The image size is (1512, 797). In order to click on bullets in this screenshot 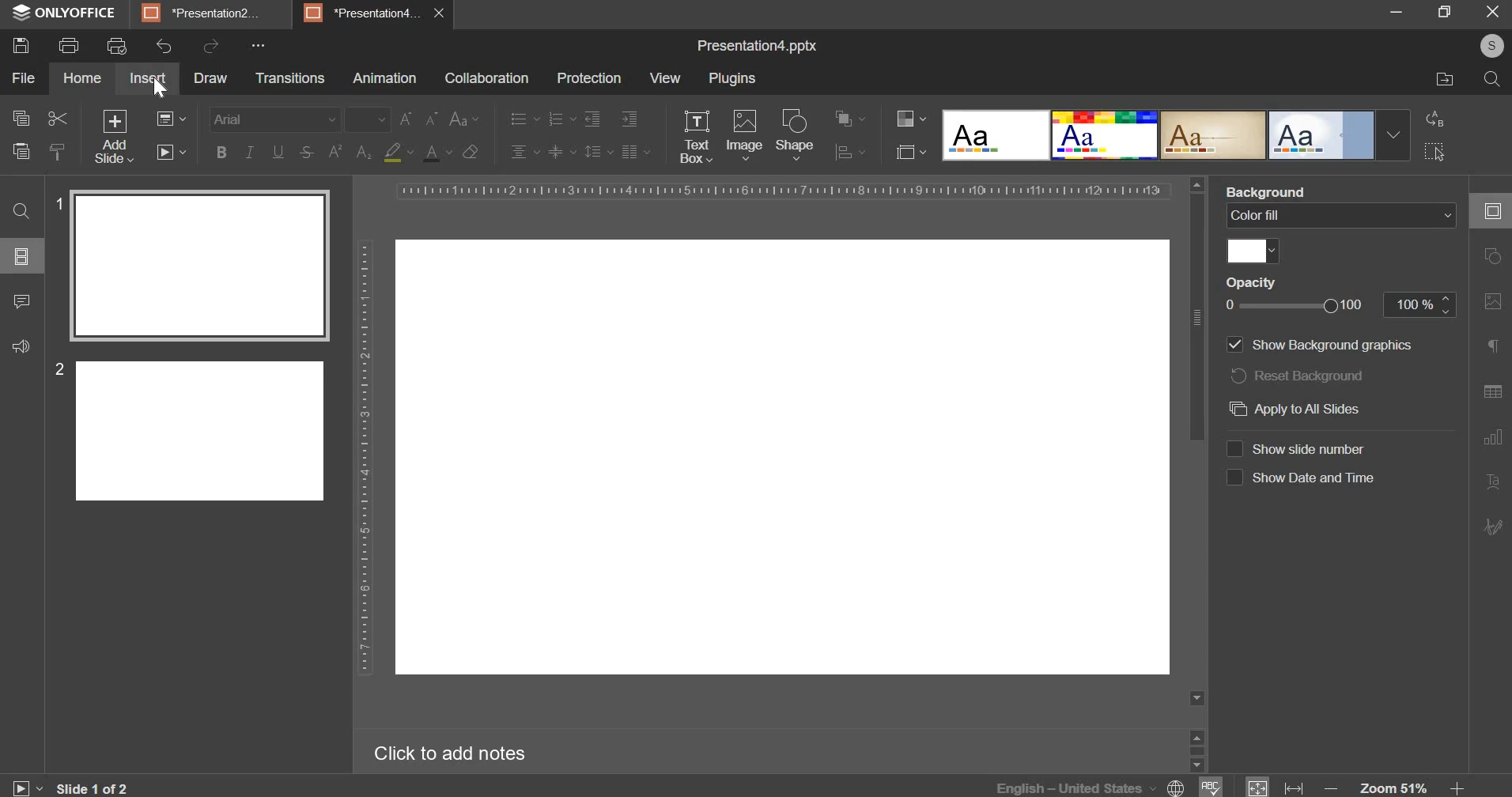, I will do `click(524, 119)`.